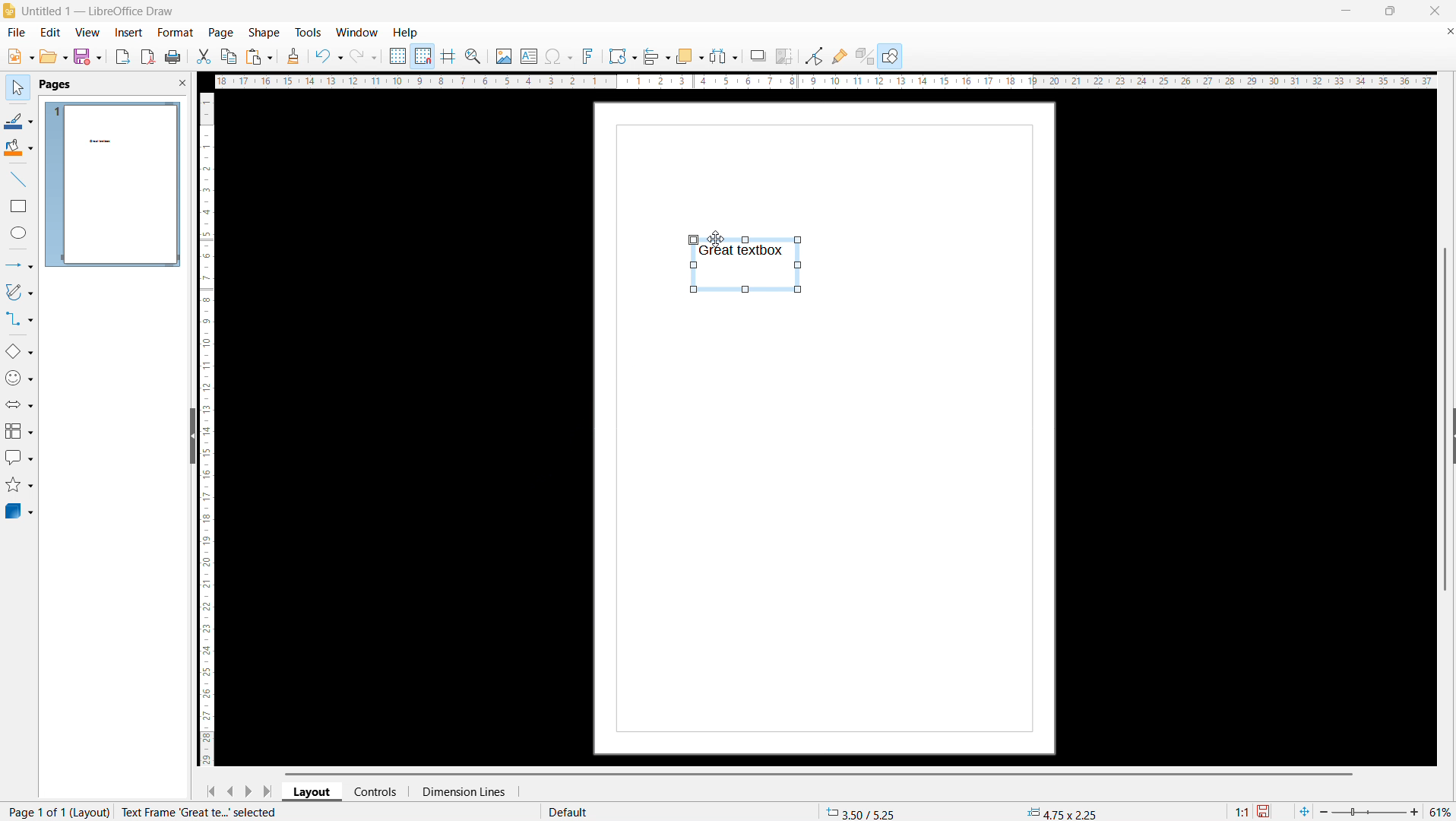  What do you see at coordinates (328, 55) in the screenshot?
I see `undo` at bounding box center [328, 55].